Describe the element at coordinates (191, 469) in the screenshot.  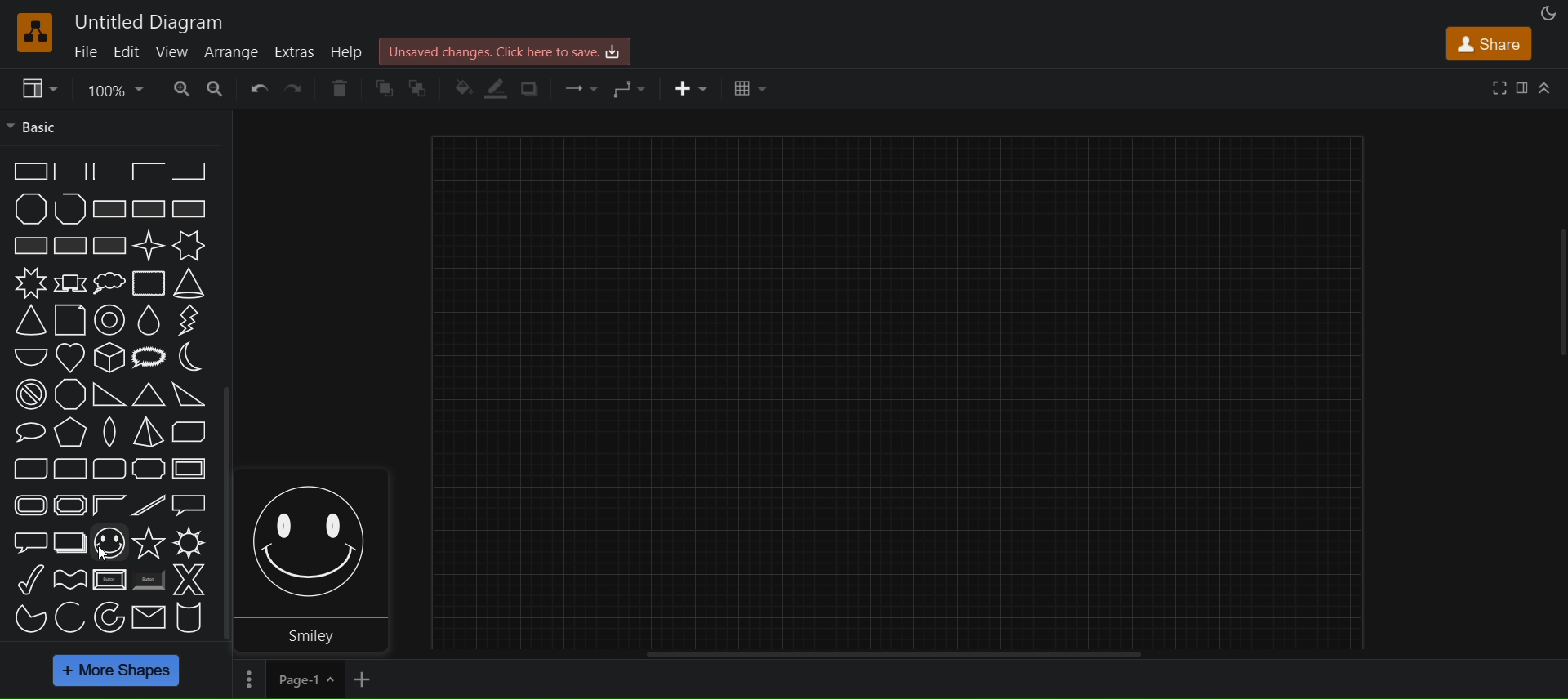
I see `frame` at that location.